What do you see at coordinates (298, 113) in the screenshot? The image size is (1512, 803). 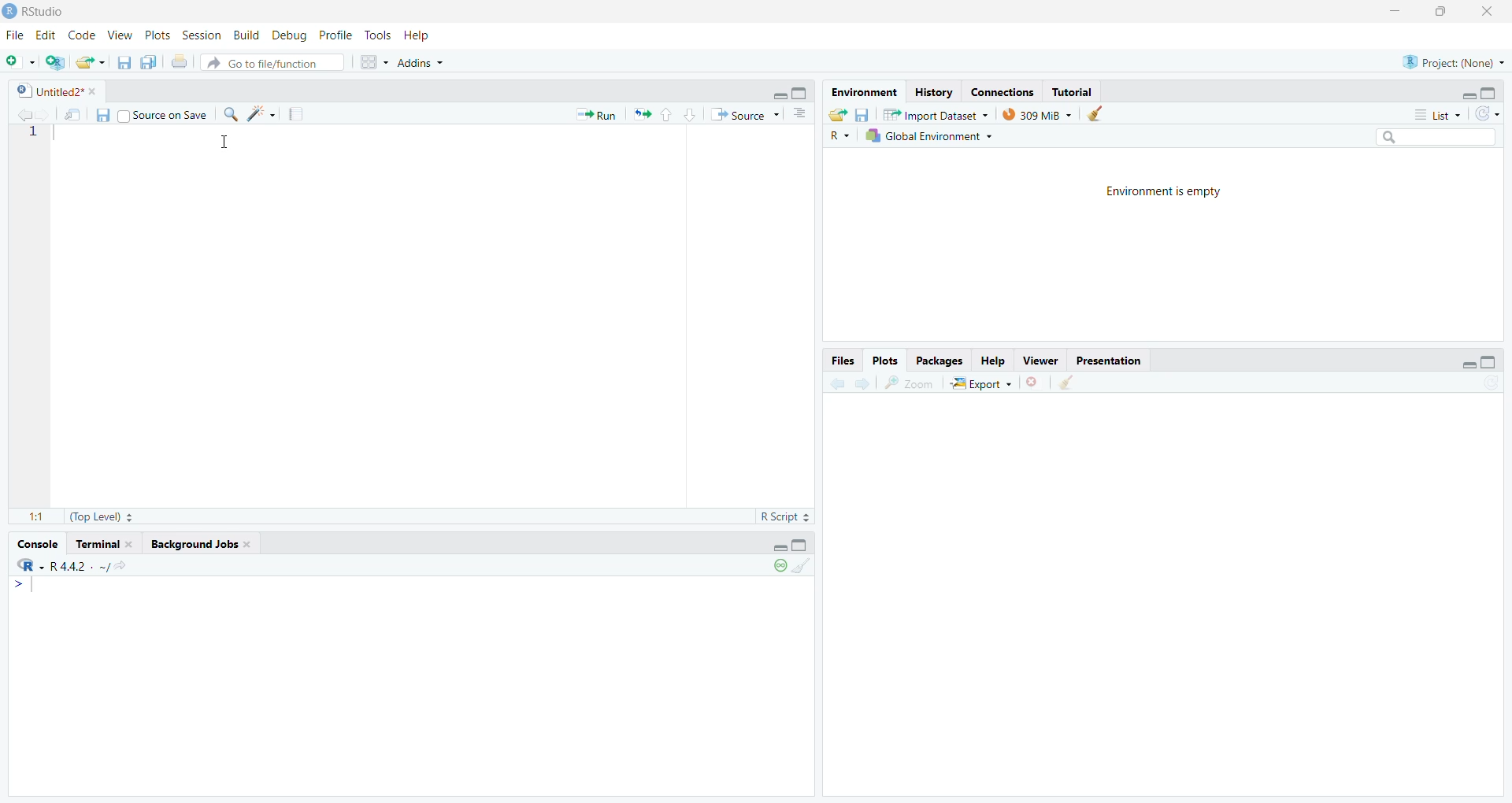 I see `notes` at bounding box center [298, 113].